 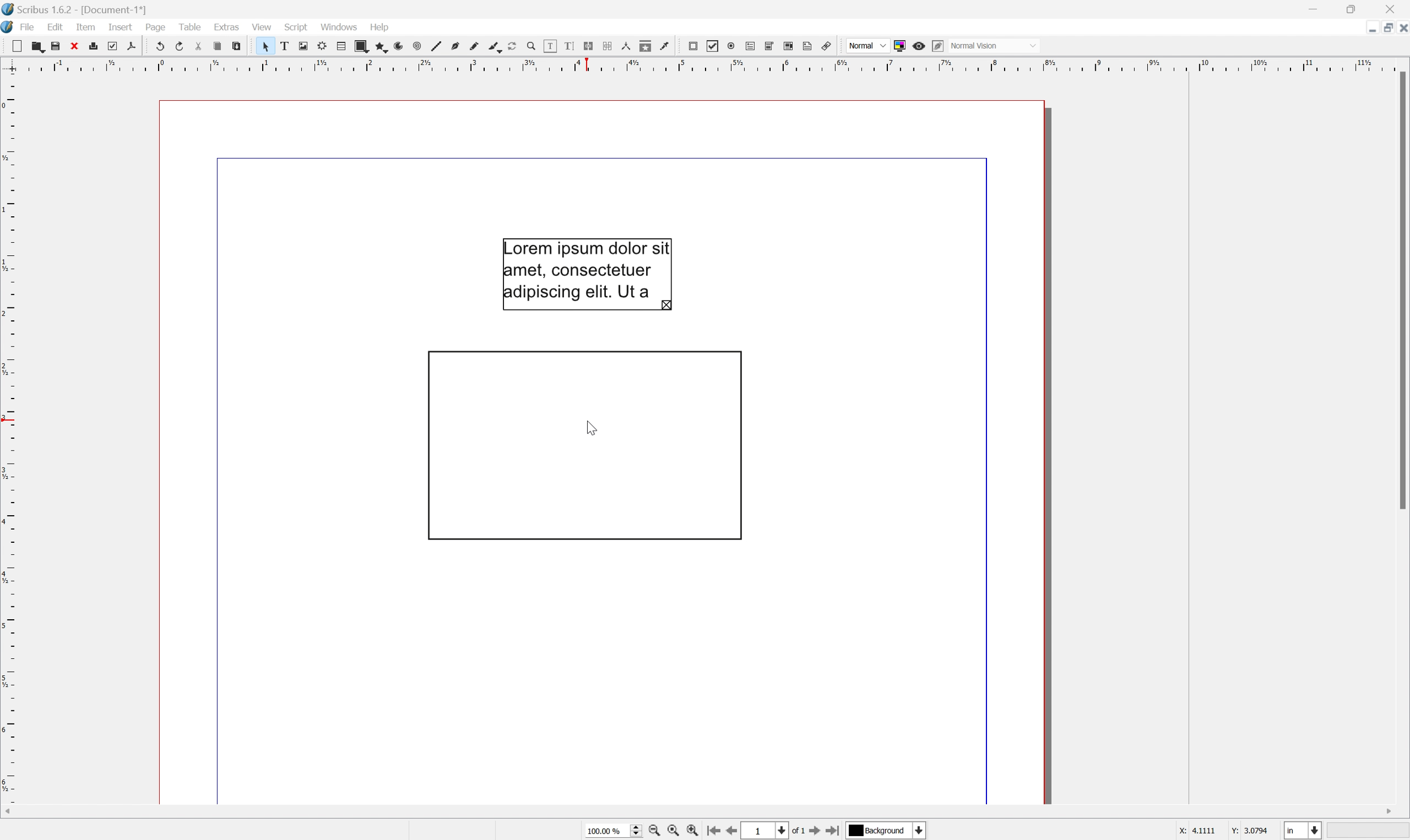 What do you see at coordinates (796, 832) in the screenshot?
I see `of 1` at bounding box center [796, 832].